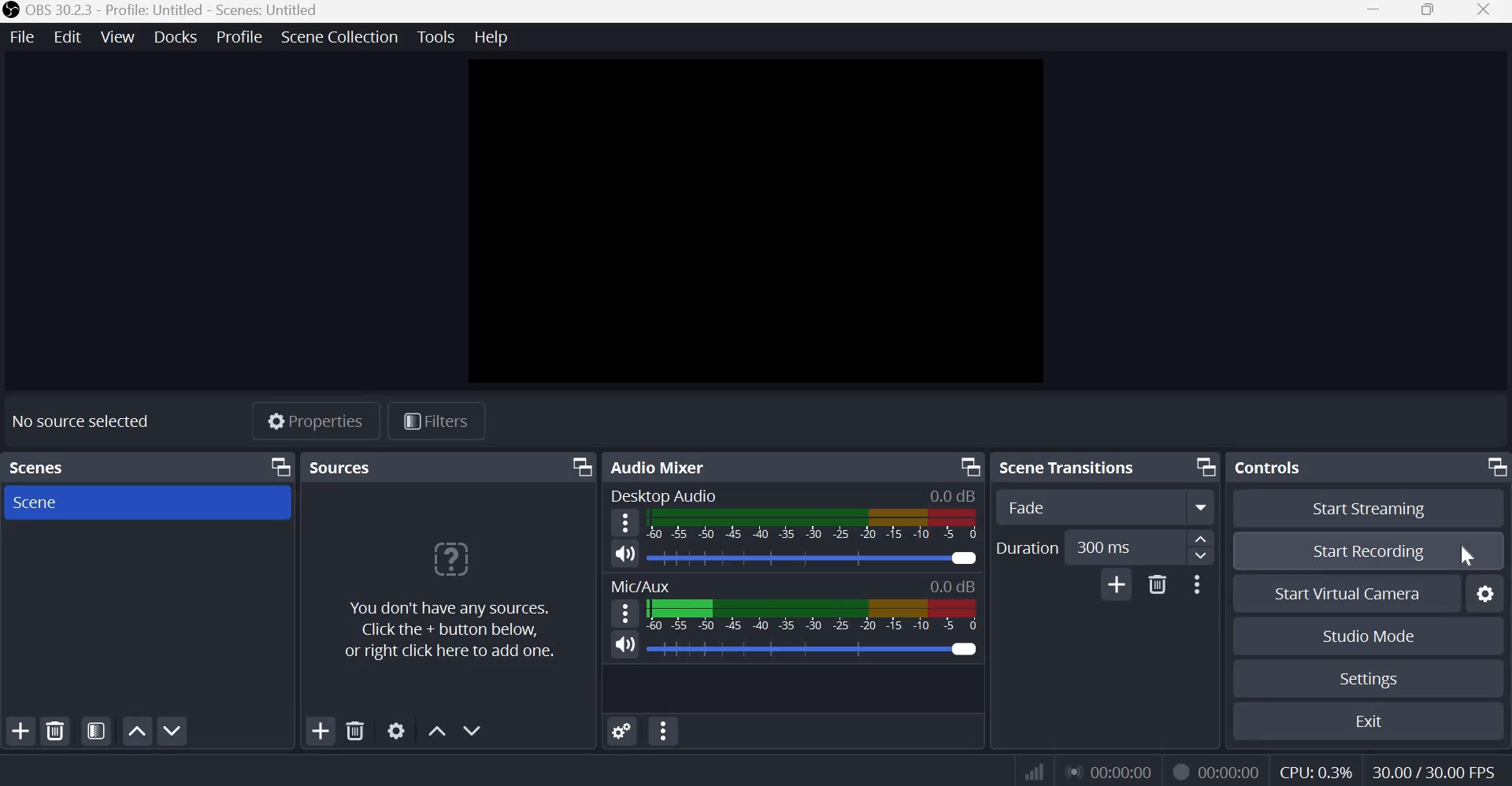 This screenshot has width=1512, height=786. What do you see at coordinates (625, 523) in the screenshot?
I see `Hamburger menu` at bounding box center [625, 523].